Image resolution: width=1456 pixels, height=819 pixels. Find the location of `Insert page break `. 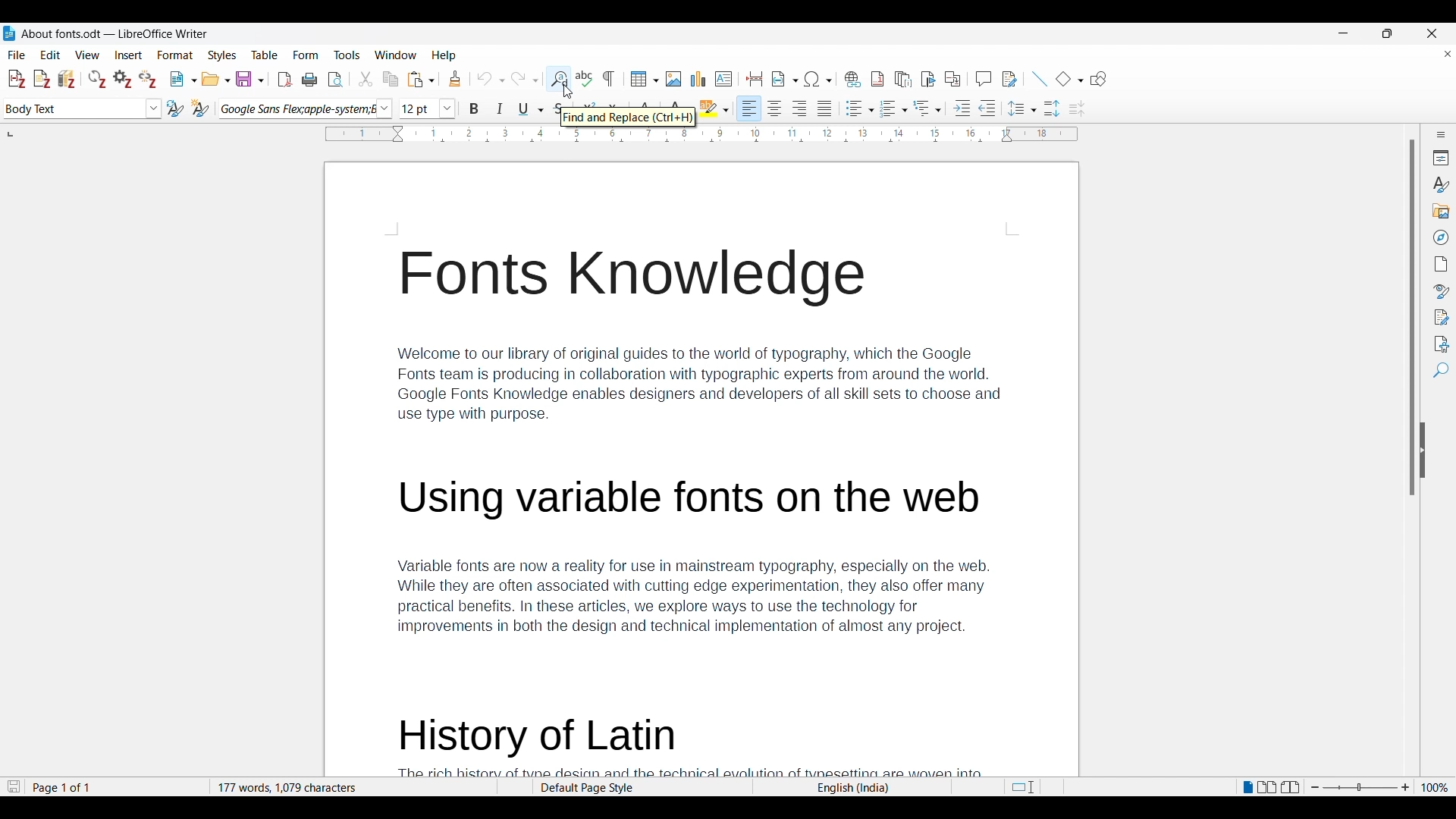

Insert page break  is located at coordinates (755, 79).